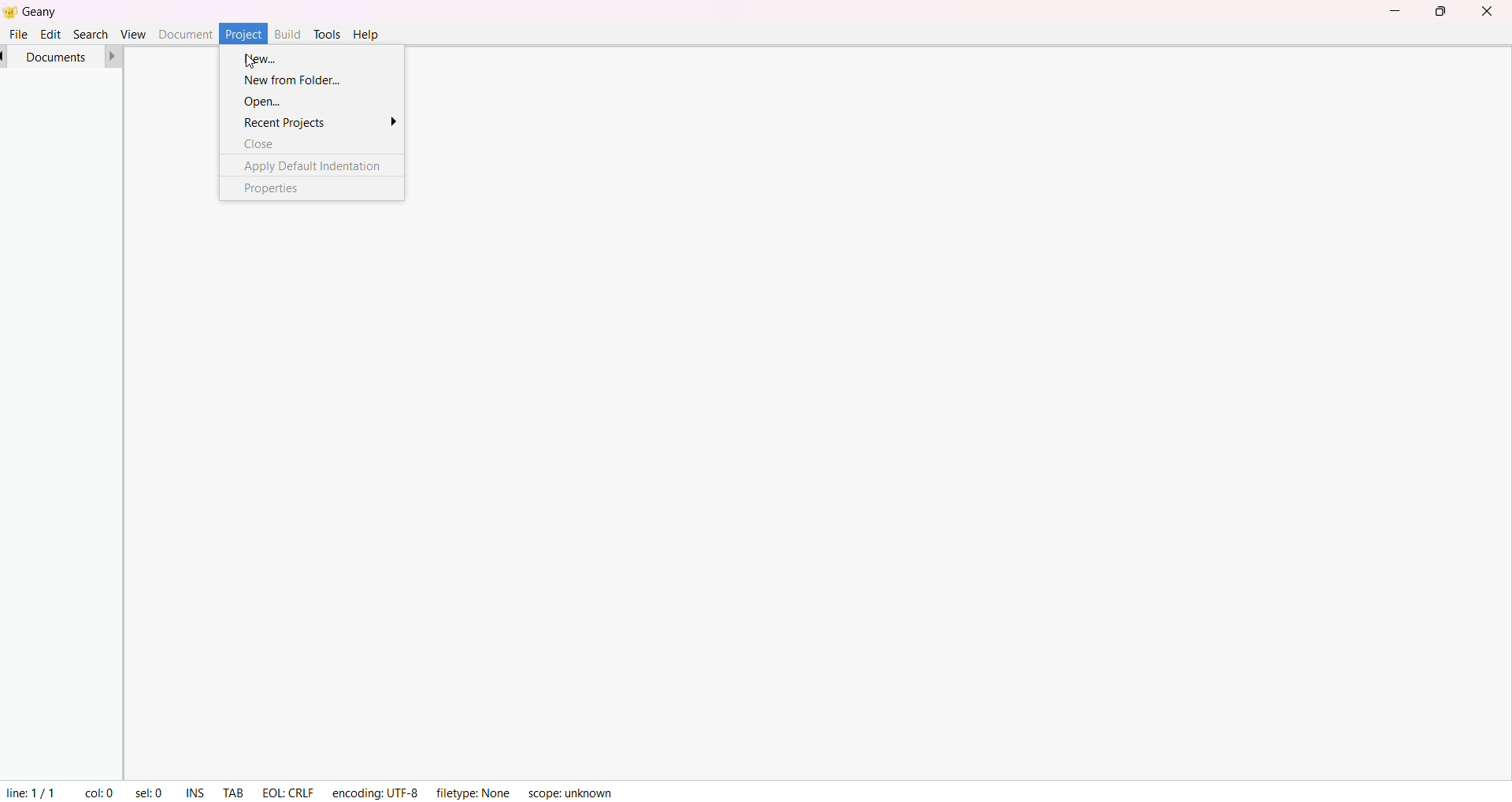  I want to click on view, so click(132, 33).